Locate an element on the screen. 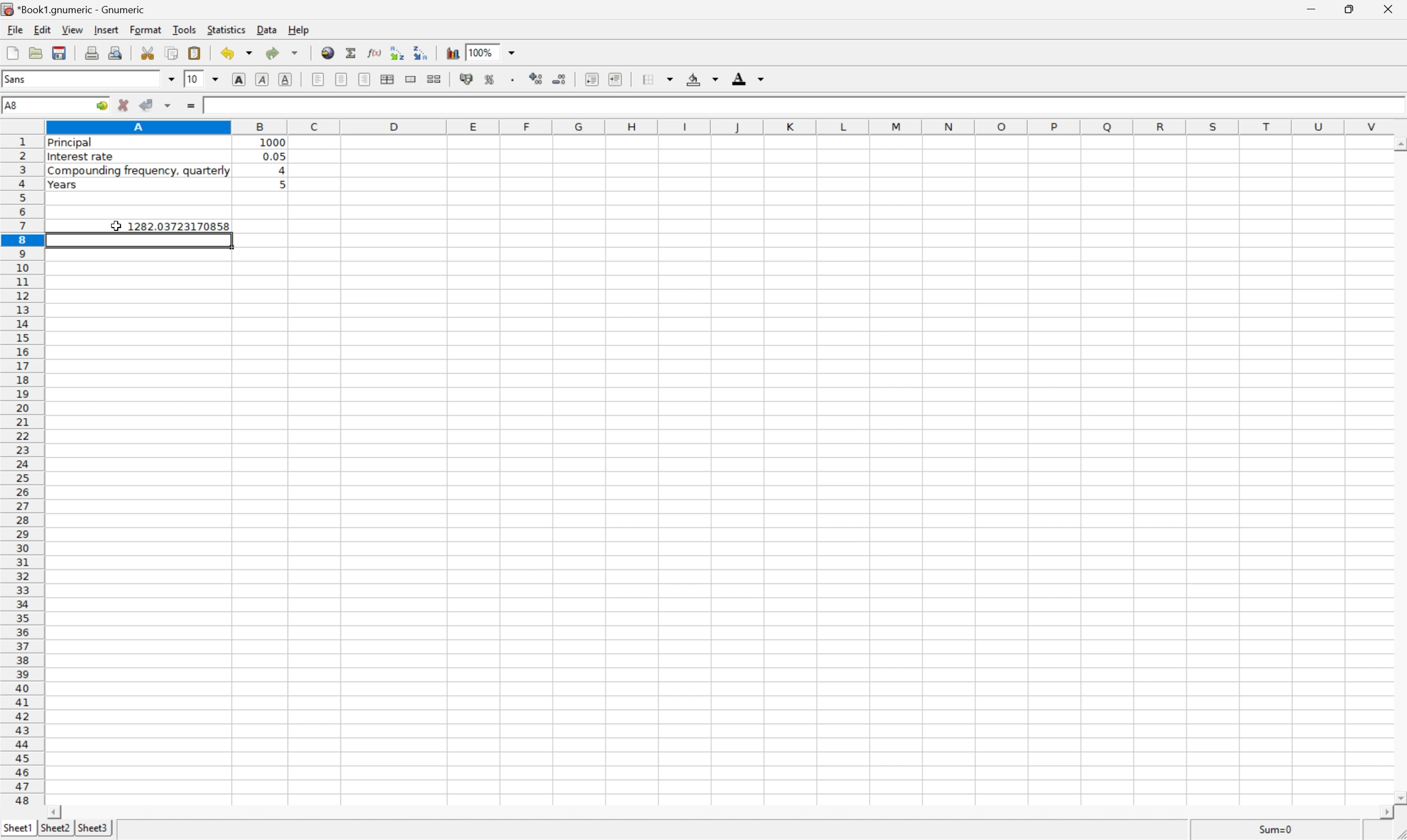 The image size is (1407, 840). restore down is located at coordinates (1352, 9).